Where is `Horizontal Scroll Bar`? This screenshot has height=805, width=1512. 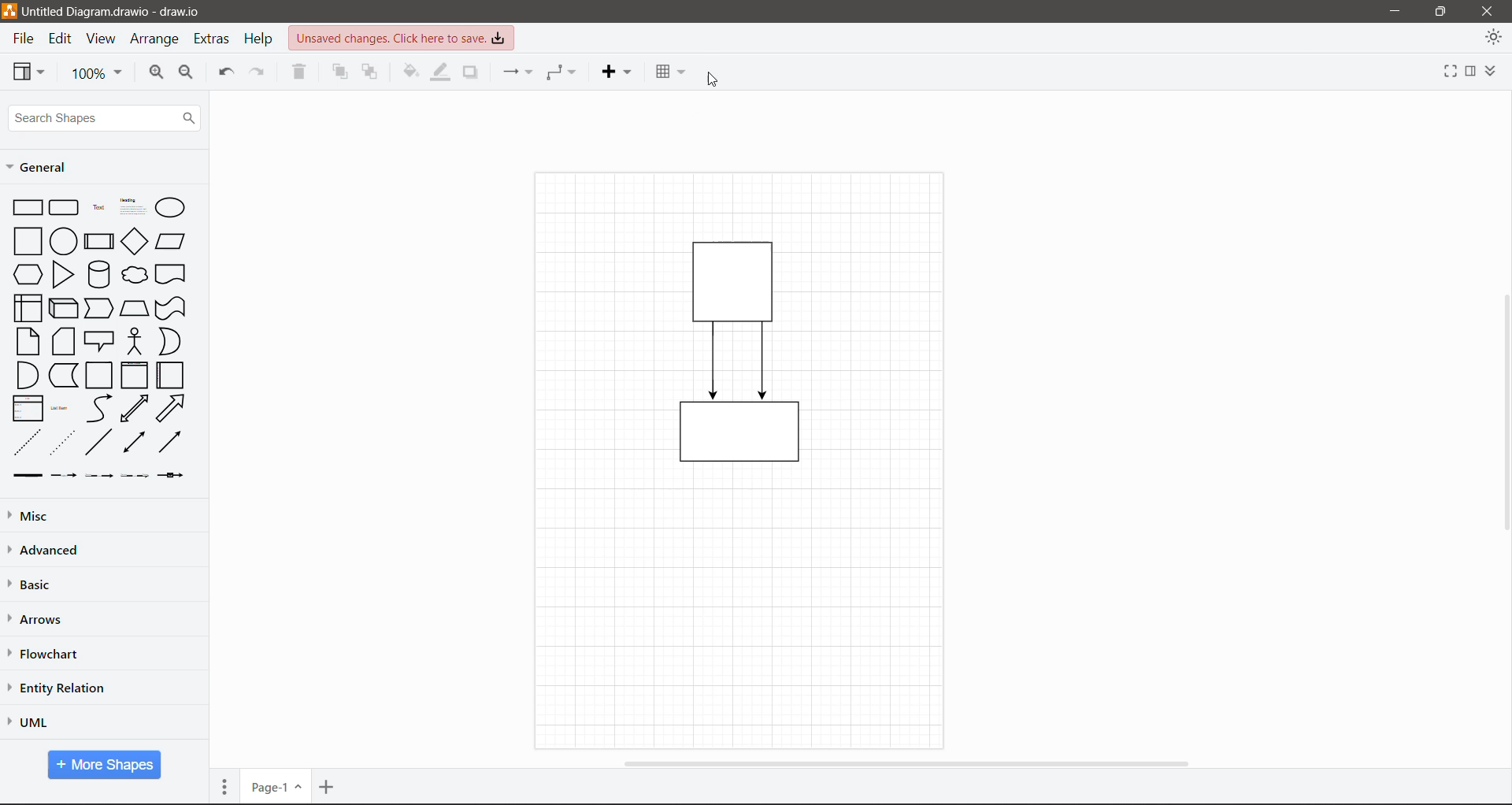 Horizontal Scroll Bar is located at coordinates (904, 762).